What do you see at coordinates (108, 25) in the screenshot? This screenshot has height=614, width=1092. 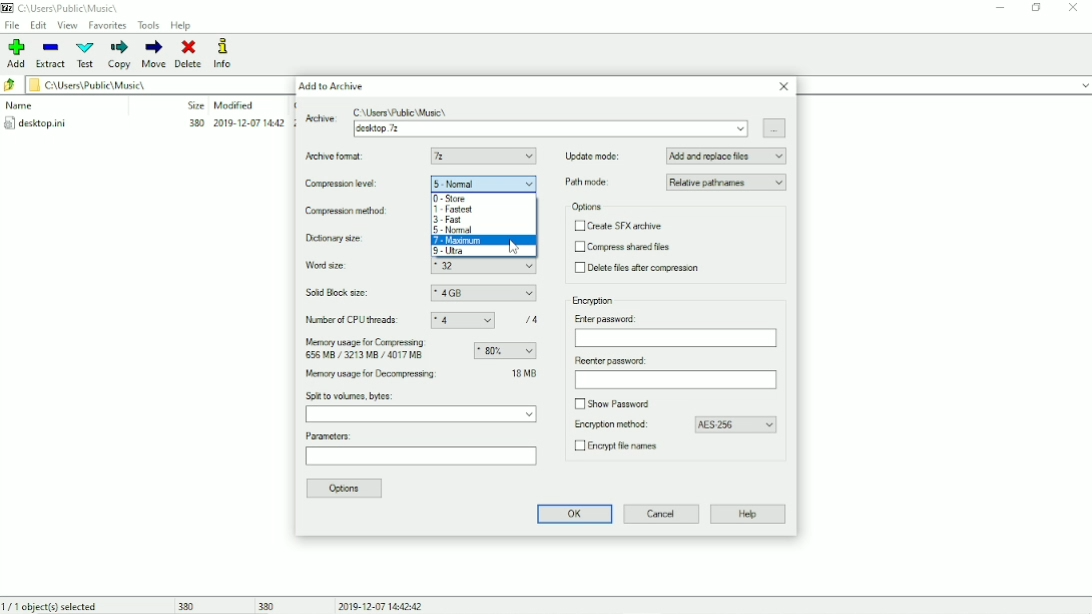 I see `Favorites` at bounding box center [108, 25].